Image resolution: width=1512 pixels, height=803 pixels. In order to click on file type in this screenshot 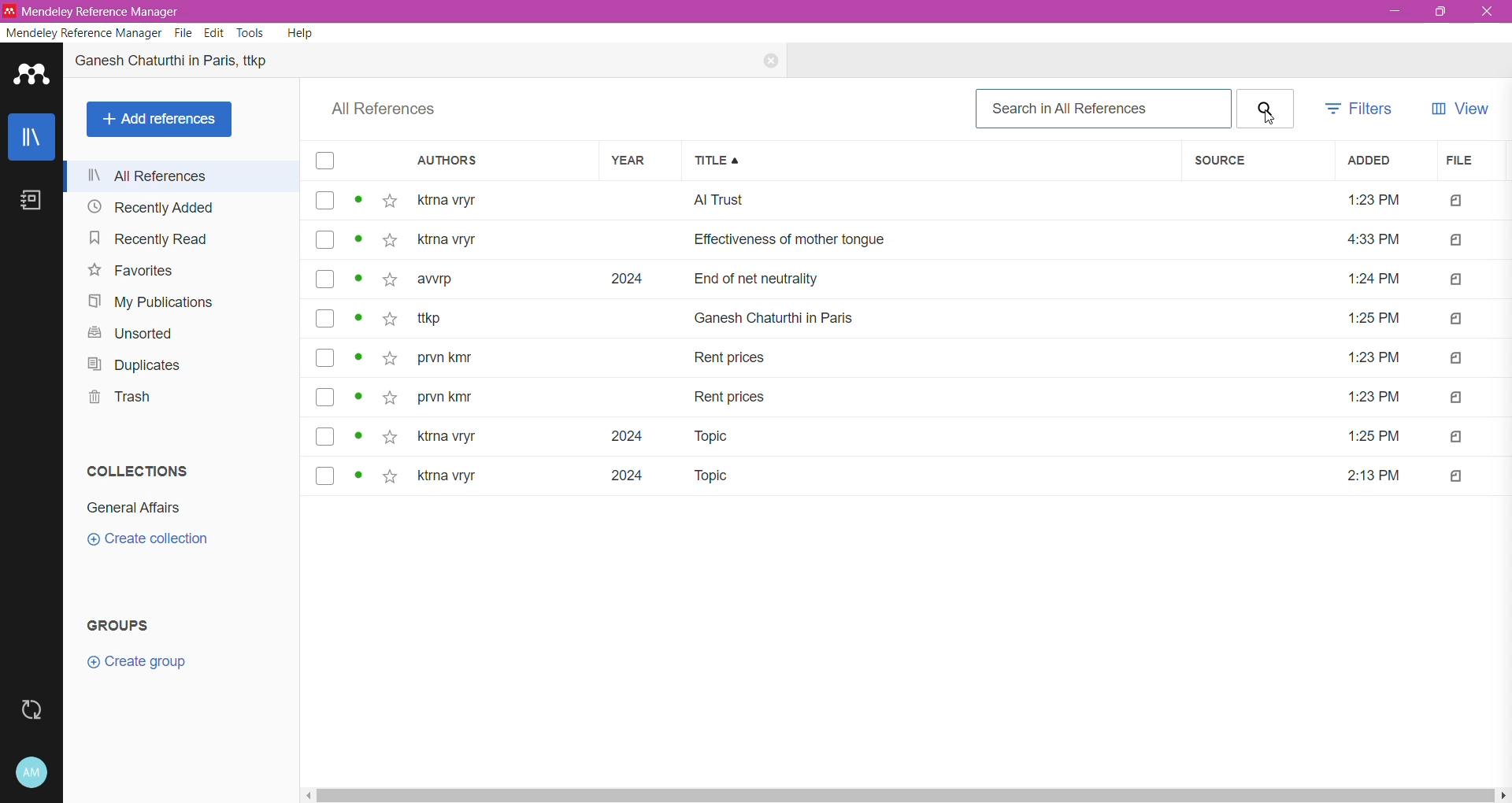, I will do `click(1459, 476)`.